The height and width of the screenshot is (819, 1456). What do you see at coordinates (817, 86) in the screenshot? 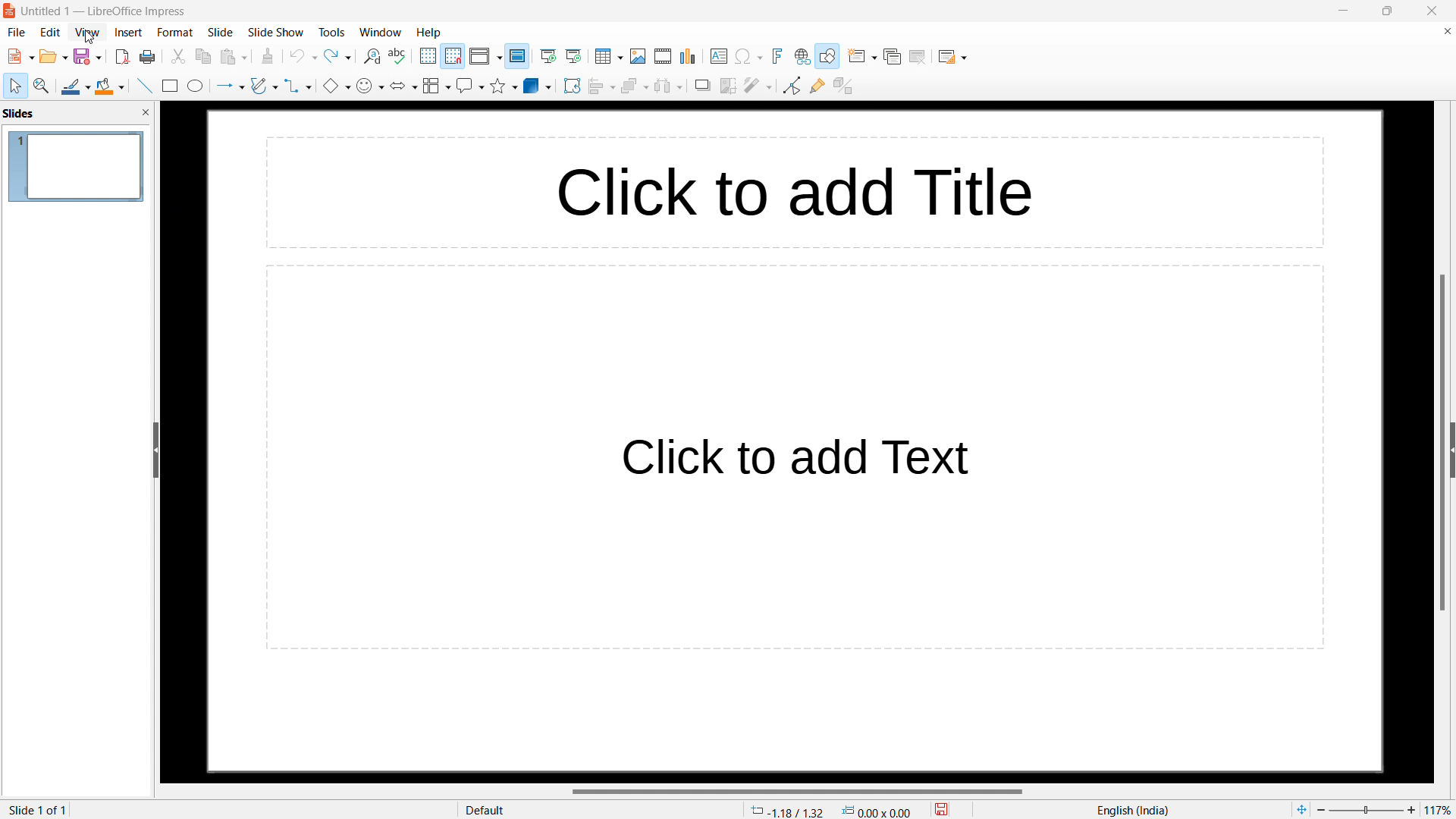
I see `show gluepoint functions` at bounding box center [817, 86].